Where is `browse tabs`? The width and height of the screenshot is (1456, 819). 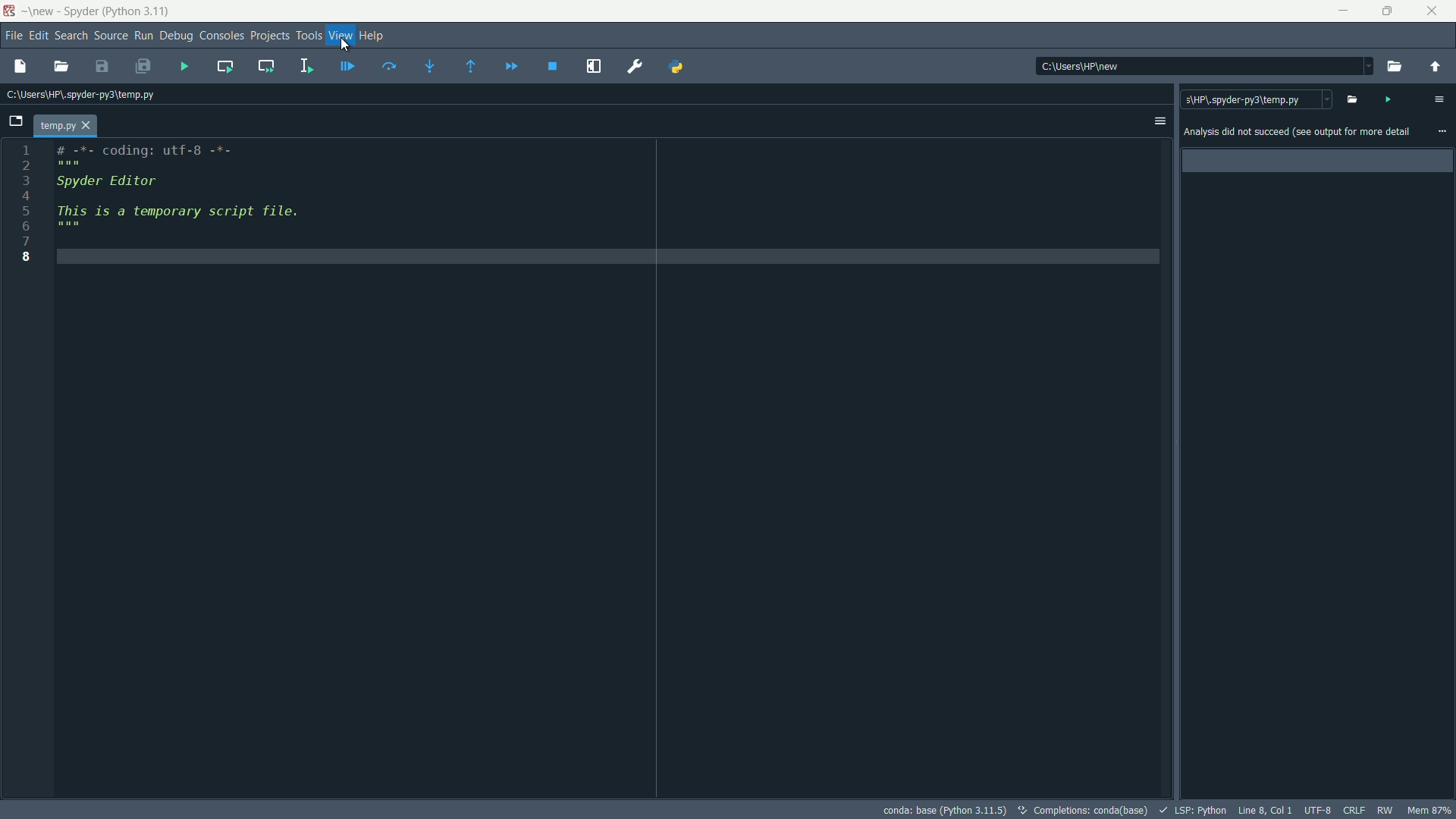
browse tabs is located at coordinates (14, 121).